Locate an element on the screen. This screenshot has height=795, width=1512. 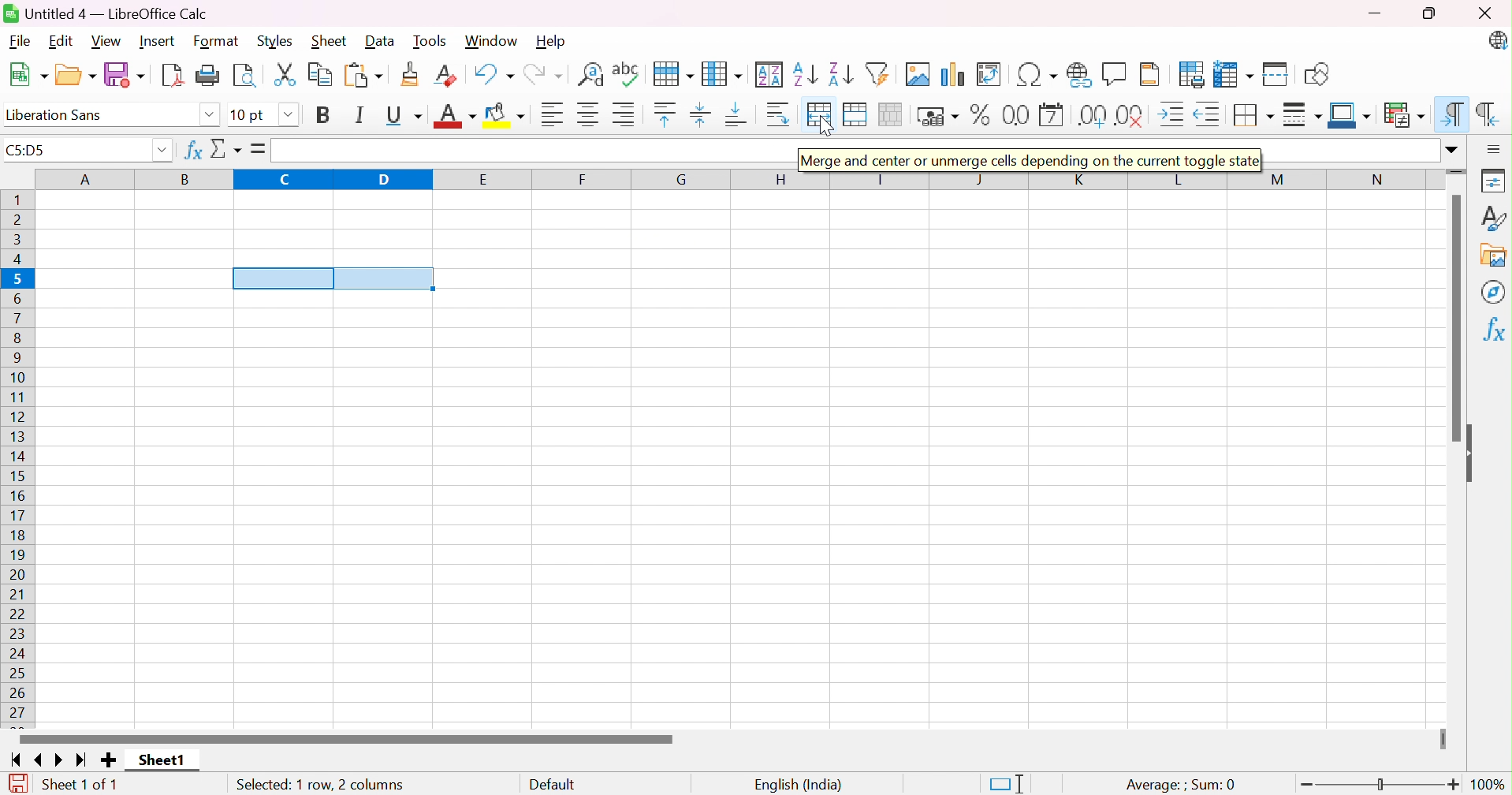
Slider is located at coordinates (1458, 172).